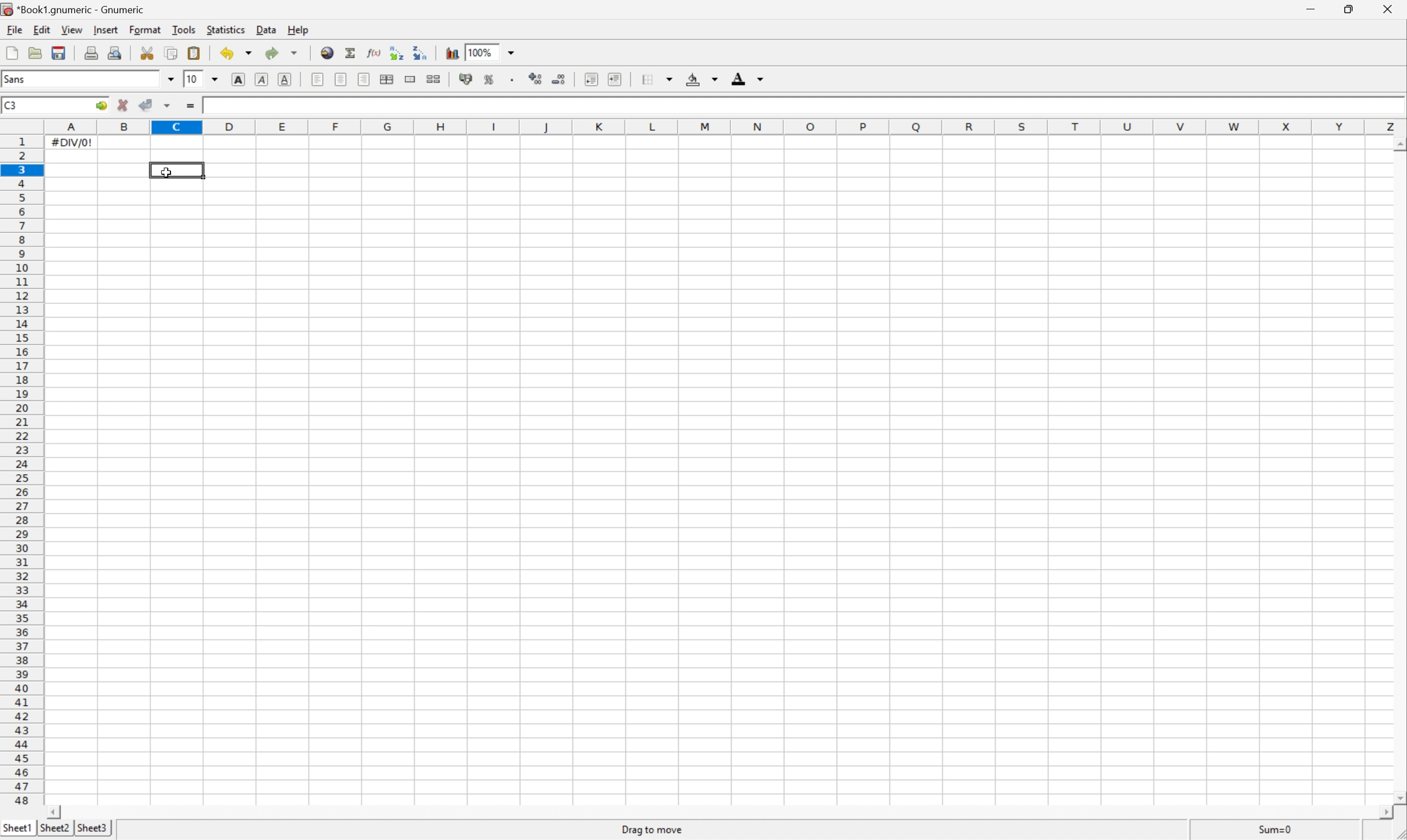  Describe the element at coordinates (594, 79) in the screenshot. I see `Decrease the intent and align the contents to left` at that location.